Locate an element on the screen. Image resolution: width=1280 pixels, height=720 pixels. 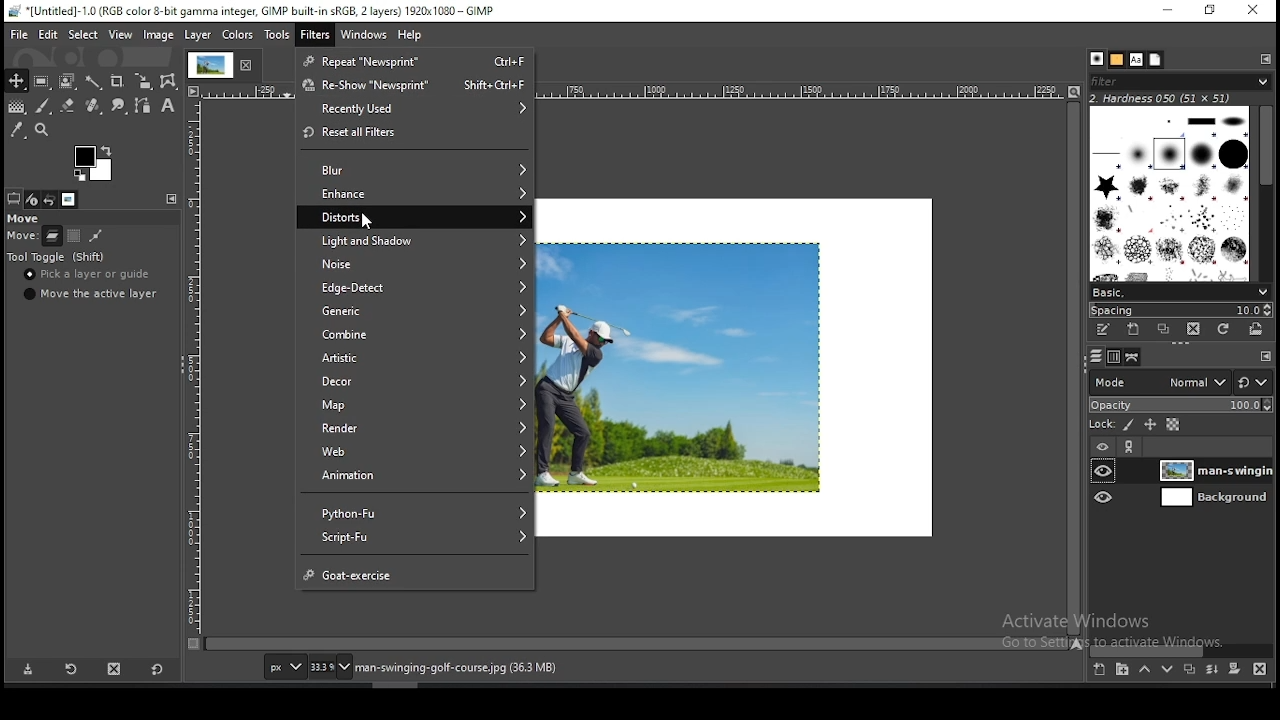
layer visibility on/off is located at coordinates (1103, 497).